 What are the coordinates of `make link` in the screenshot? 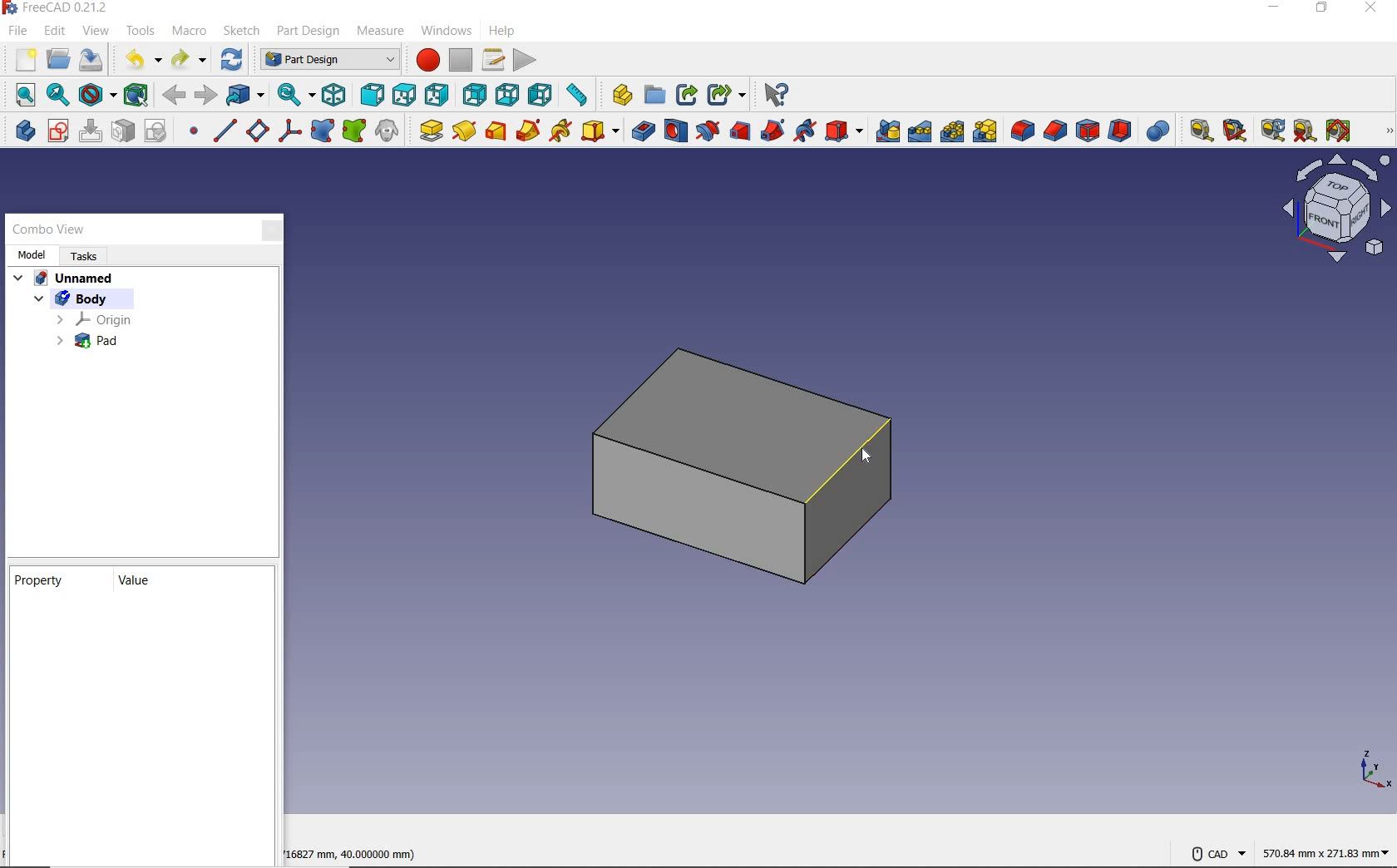 It's located at (685, 96).